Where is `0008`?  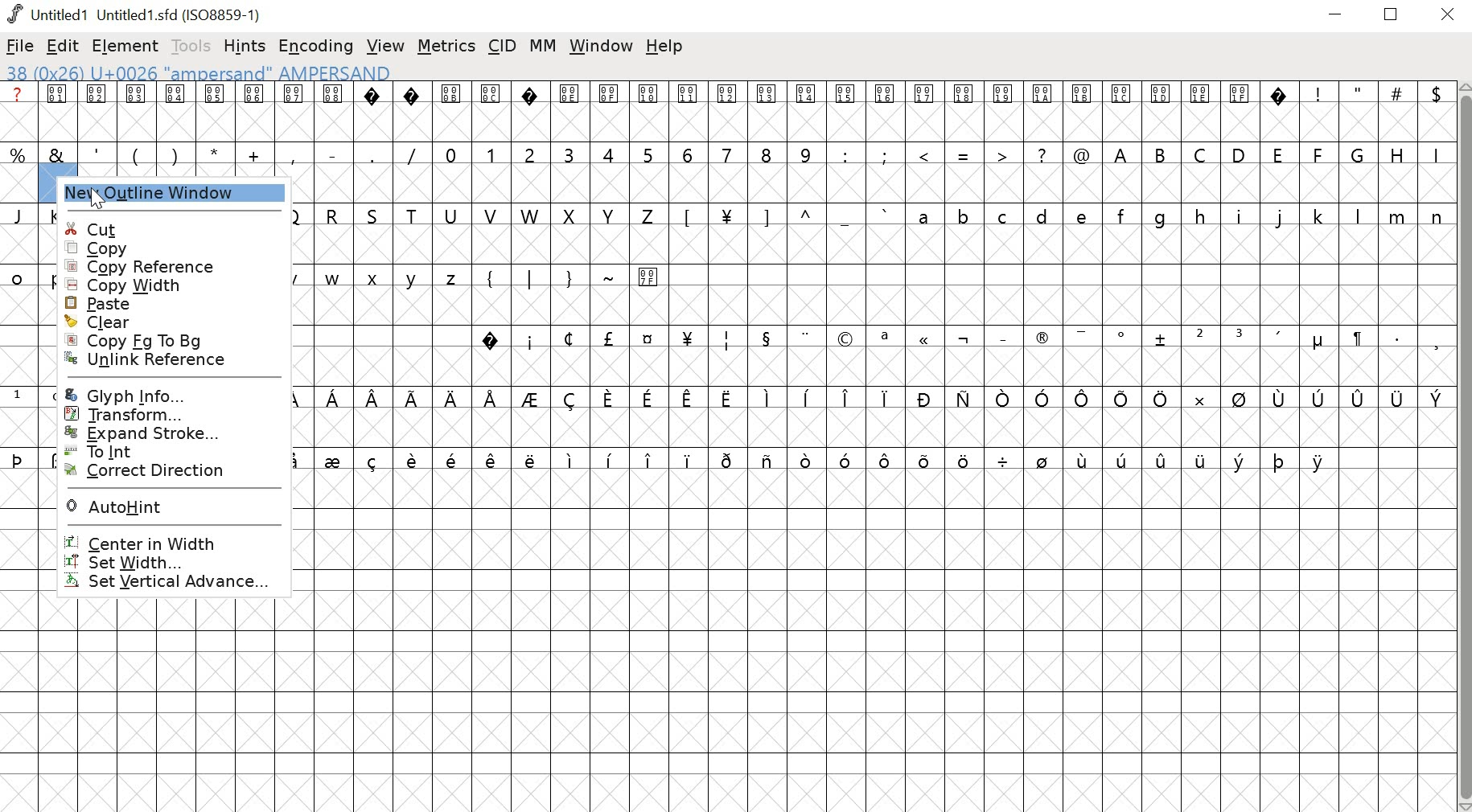
0008 is located at coordinates (332, 110).